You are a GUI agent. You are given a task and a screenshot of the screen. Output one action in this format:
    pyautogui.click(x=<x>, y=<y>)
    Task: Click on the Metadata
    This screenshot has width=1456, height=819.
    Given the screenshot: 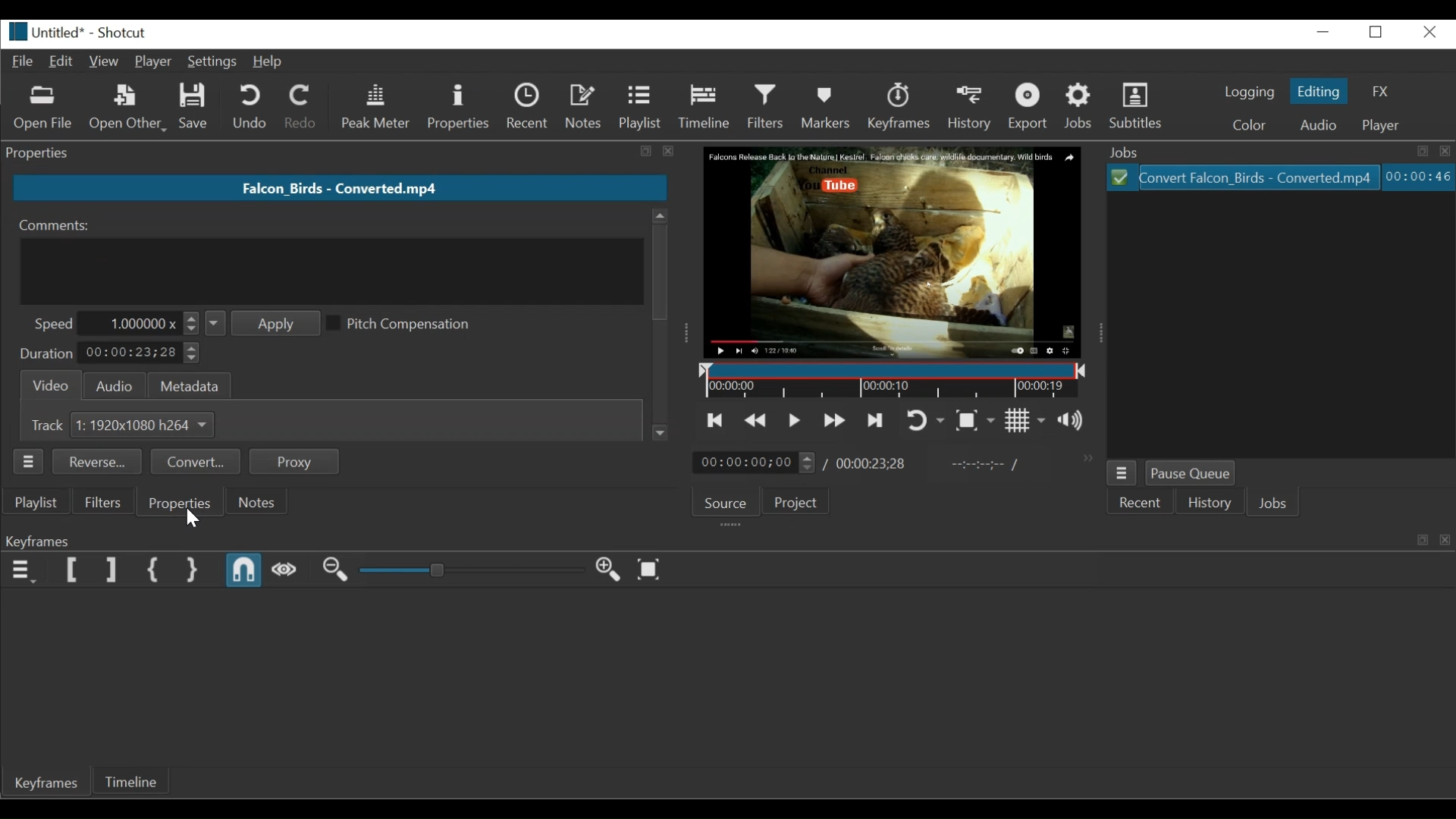 What is the action you would take?
    pyautogui.click(x=186, y=385)
    